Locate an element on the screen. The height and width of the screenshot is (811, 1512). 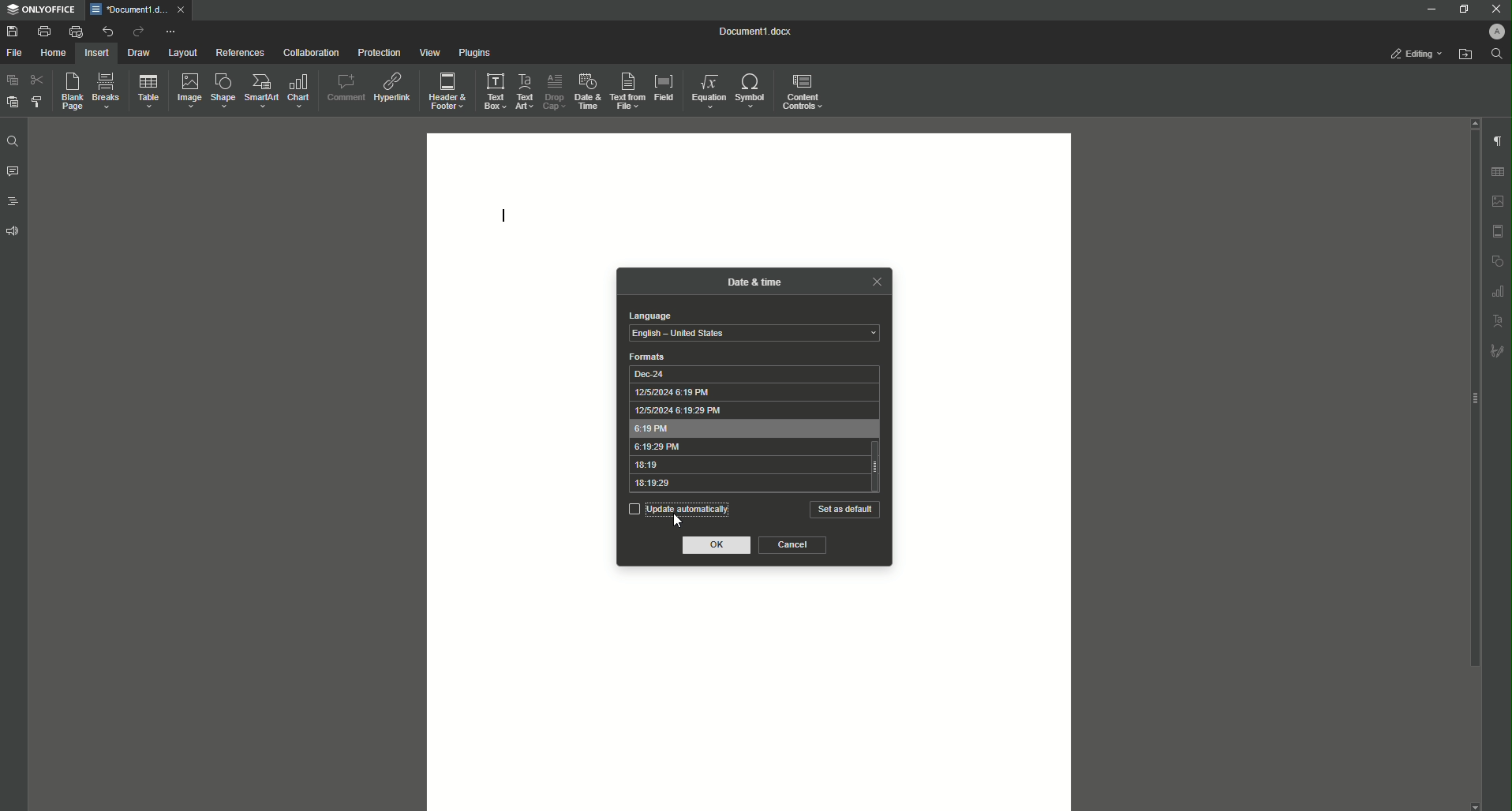
Text Art is located at coordinates (526, 89).